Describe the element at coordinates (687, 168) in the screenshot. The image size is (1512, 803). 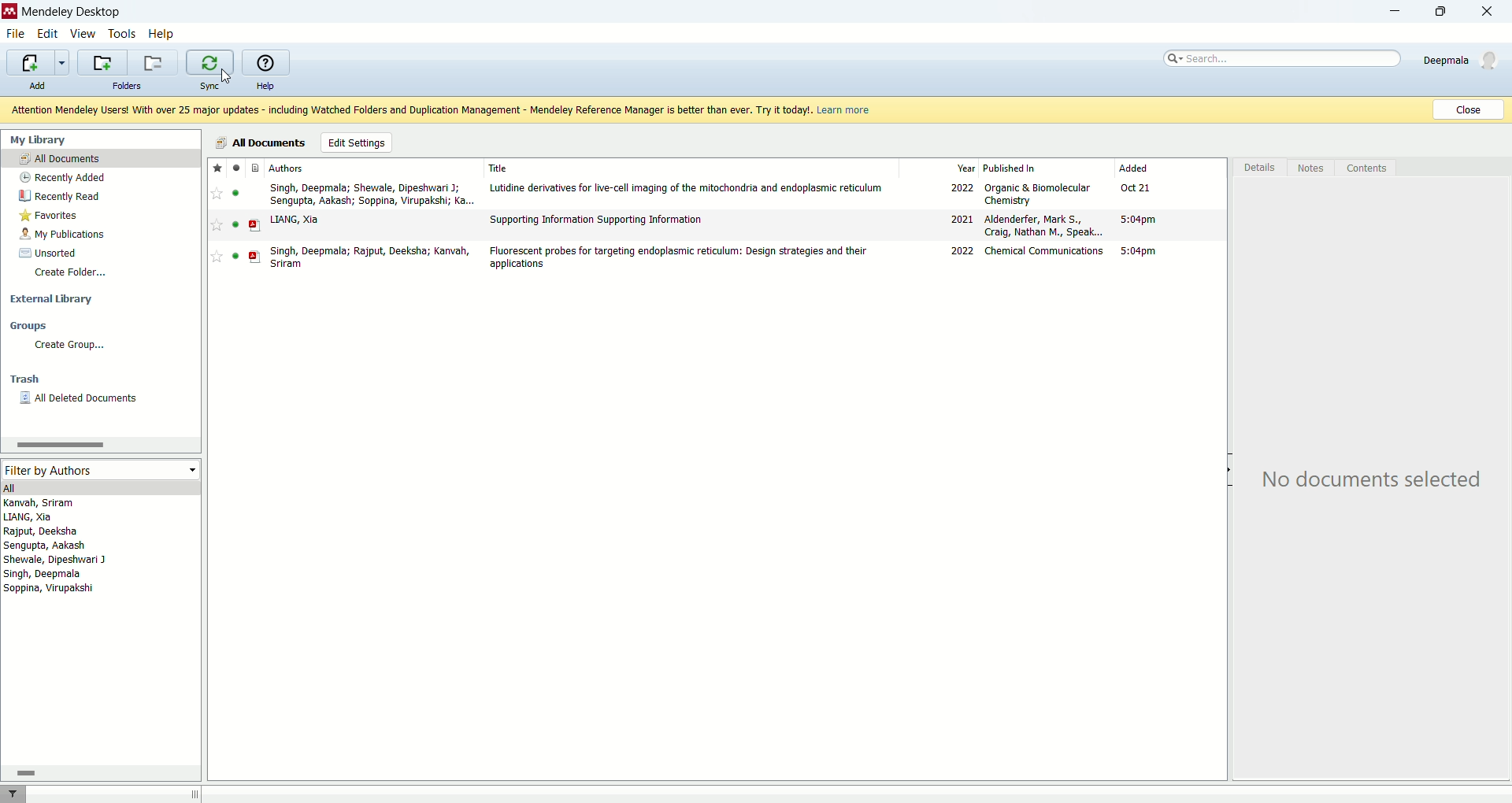
I see `title` at that location.